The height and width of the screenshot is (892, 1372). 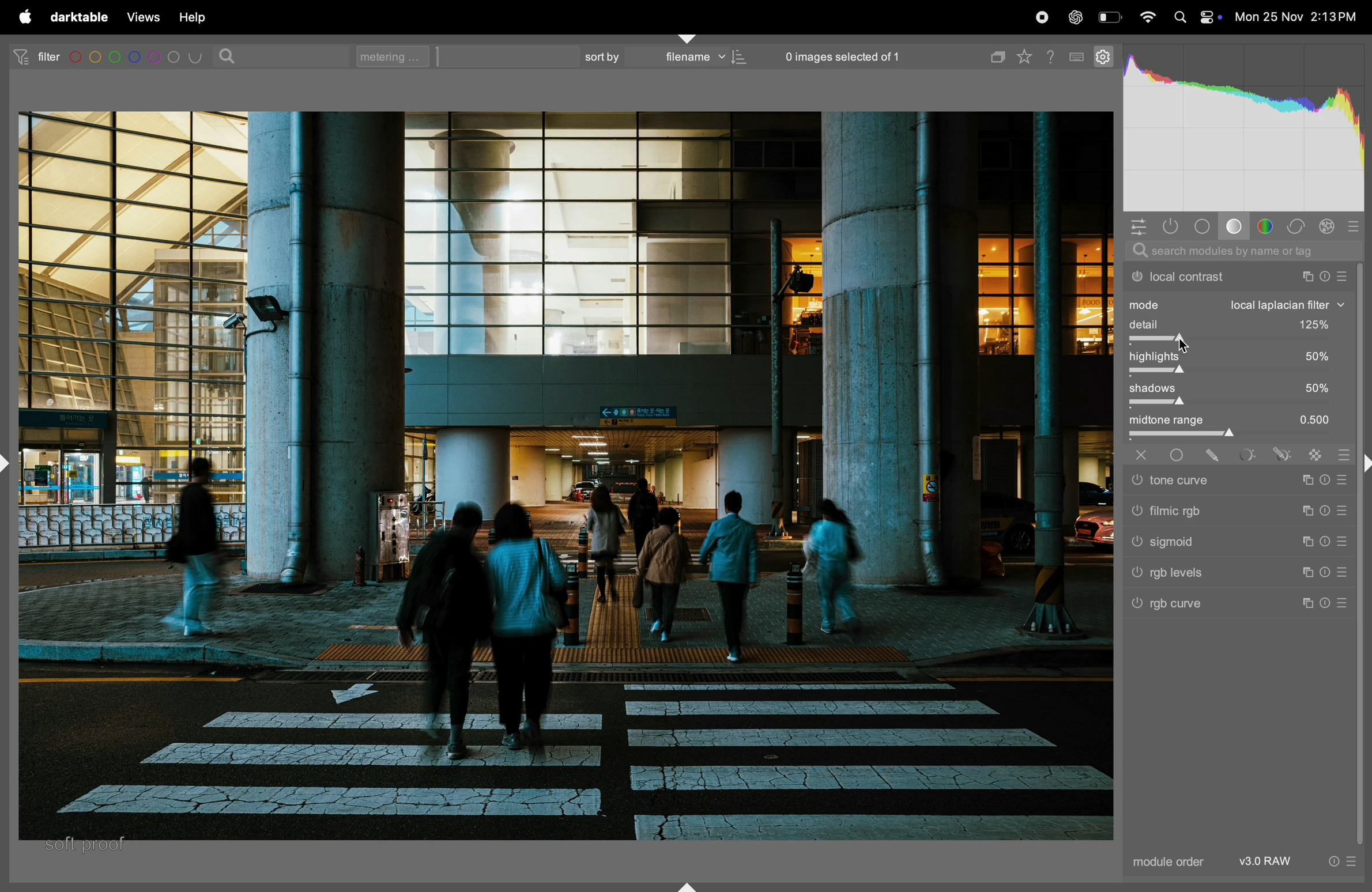 I want to click on highlights, so click(x=1237, y=357).